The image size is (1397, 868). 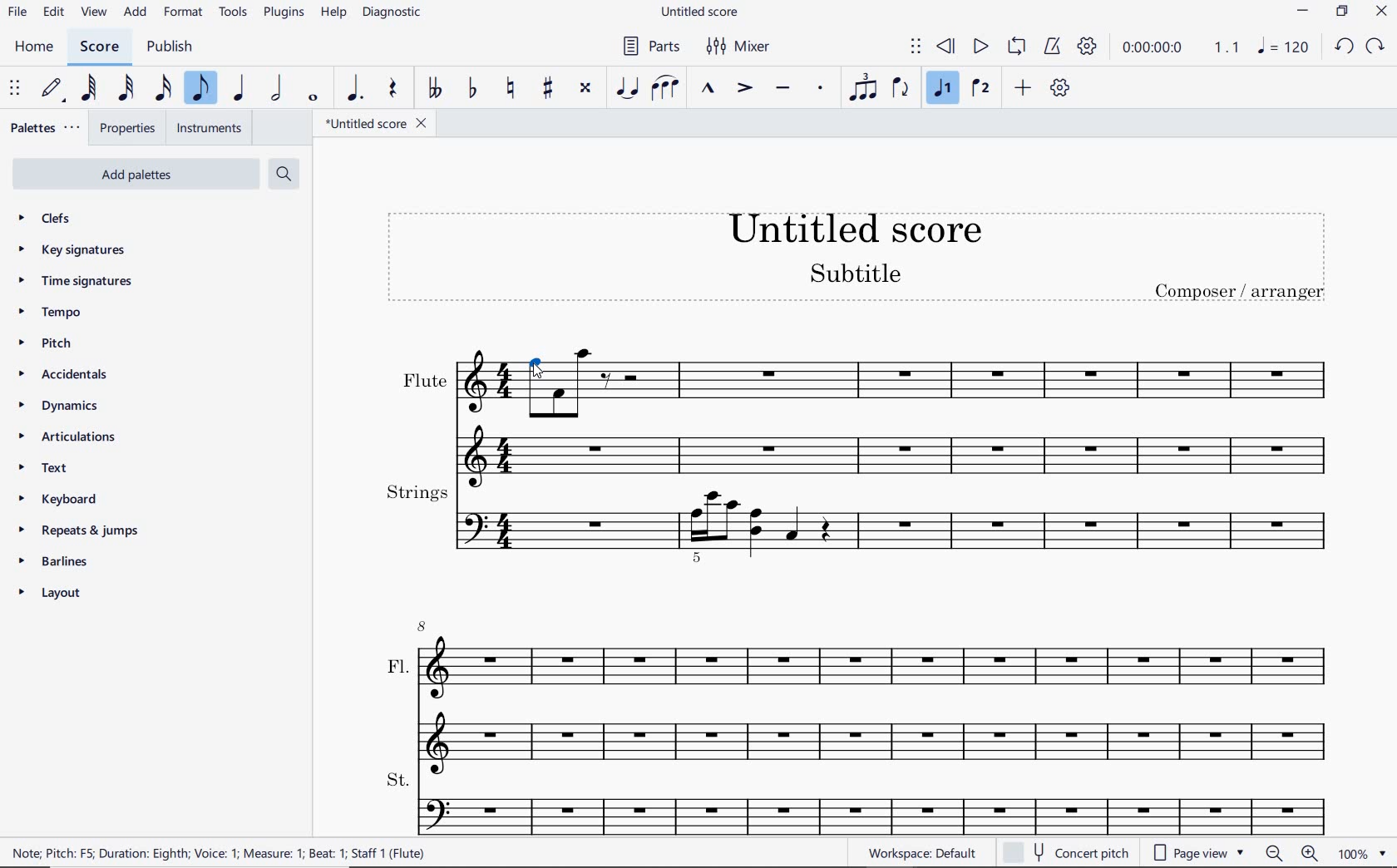 I want to click on METRONOME, so click(x=1054, y=46).